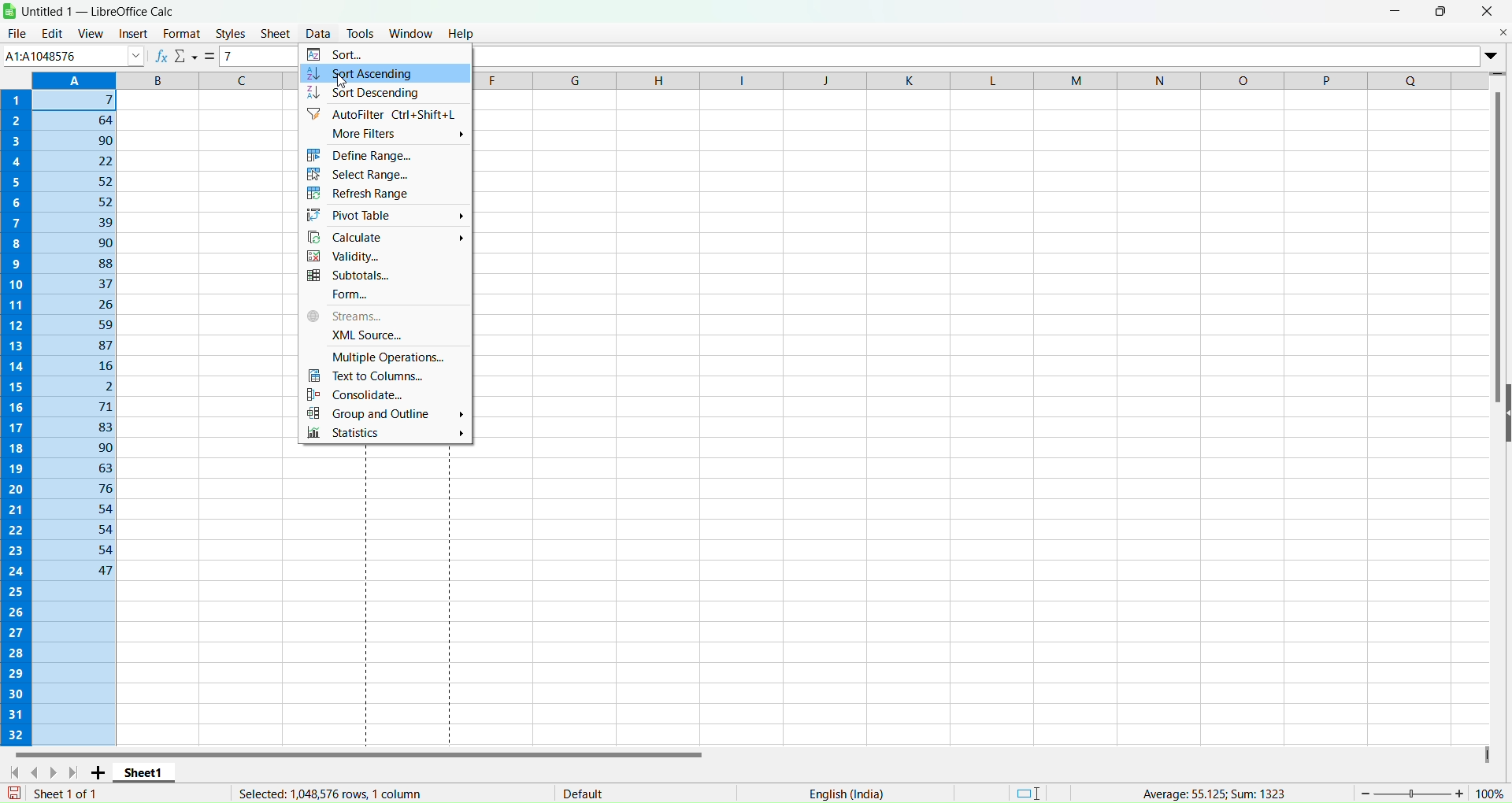 This screenshot has width=1512, height=803. I want to click on Sort Ascending, so click(384, 72).